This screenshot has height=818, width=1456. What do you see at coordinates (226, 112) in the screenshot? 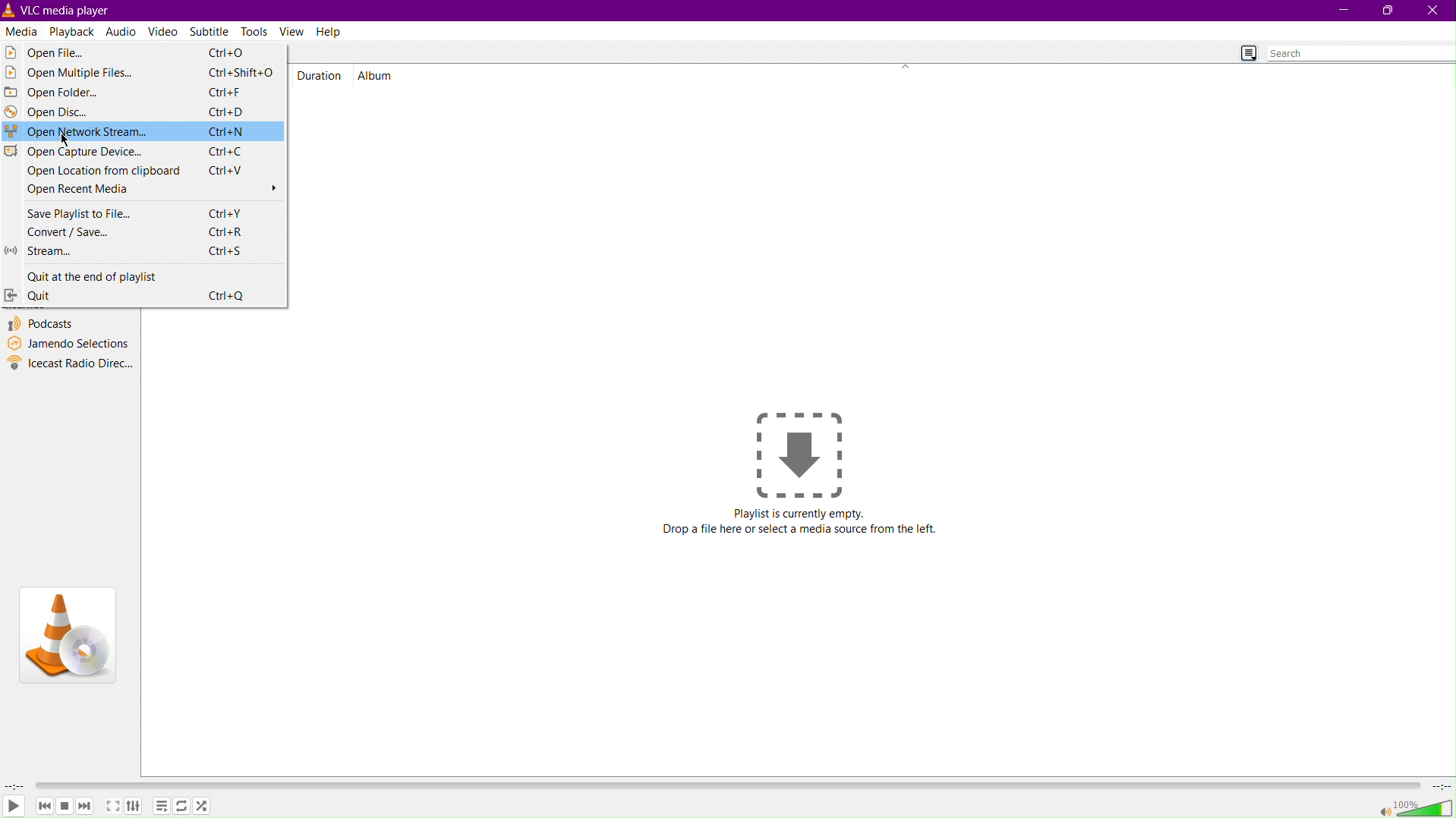
I see `Ctrl+D` at bounding box center [226, 112].